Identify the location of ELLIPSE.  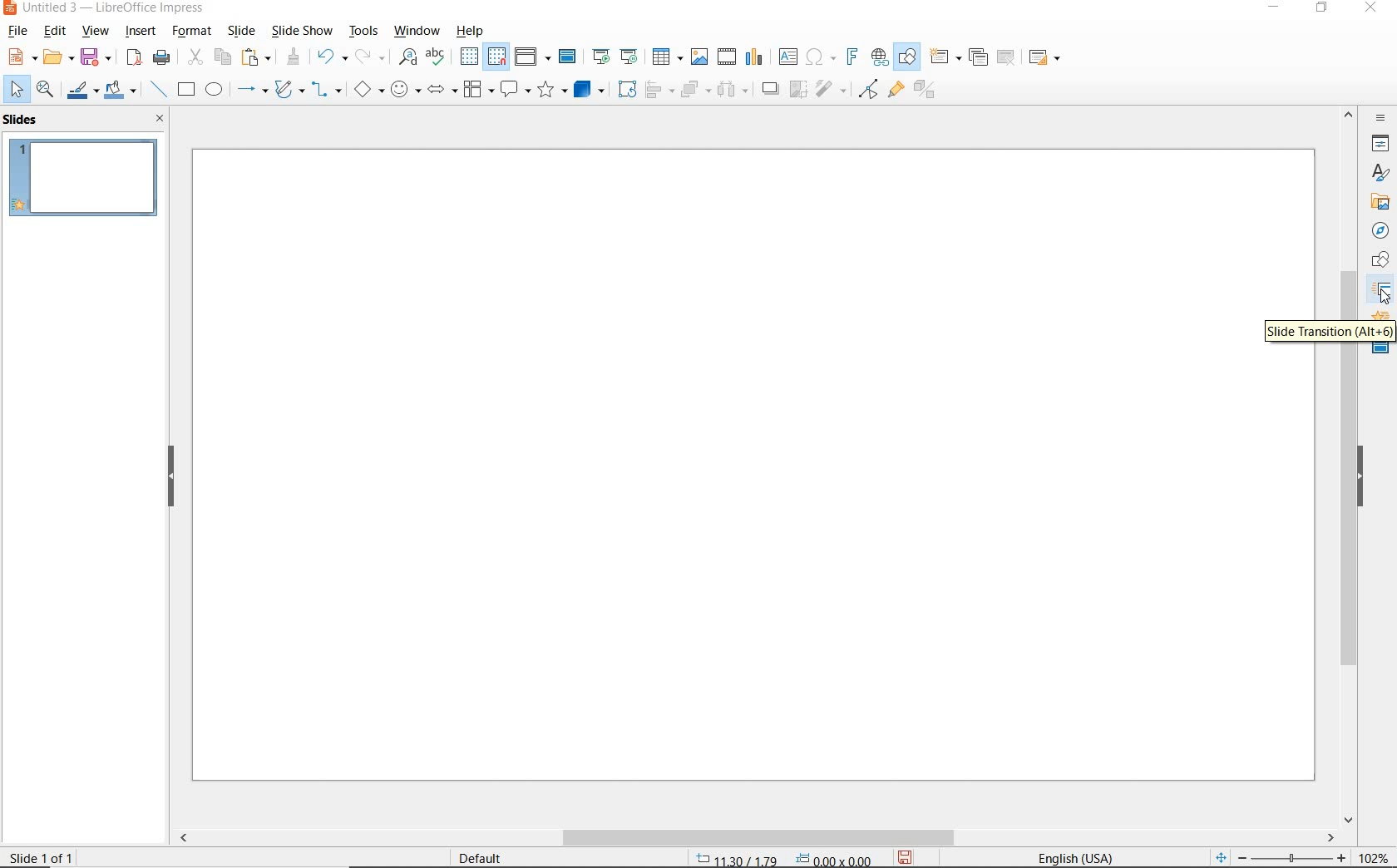
(215, 90).